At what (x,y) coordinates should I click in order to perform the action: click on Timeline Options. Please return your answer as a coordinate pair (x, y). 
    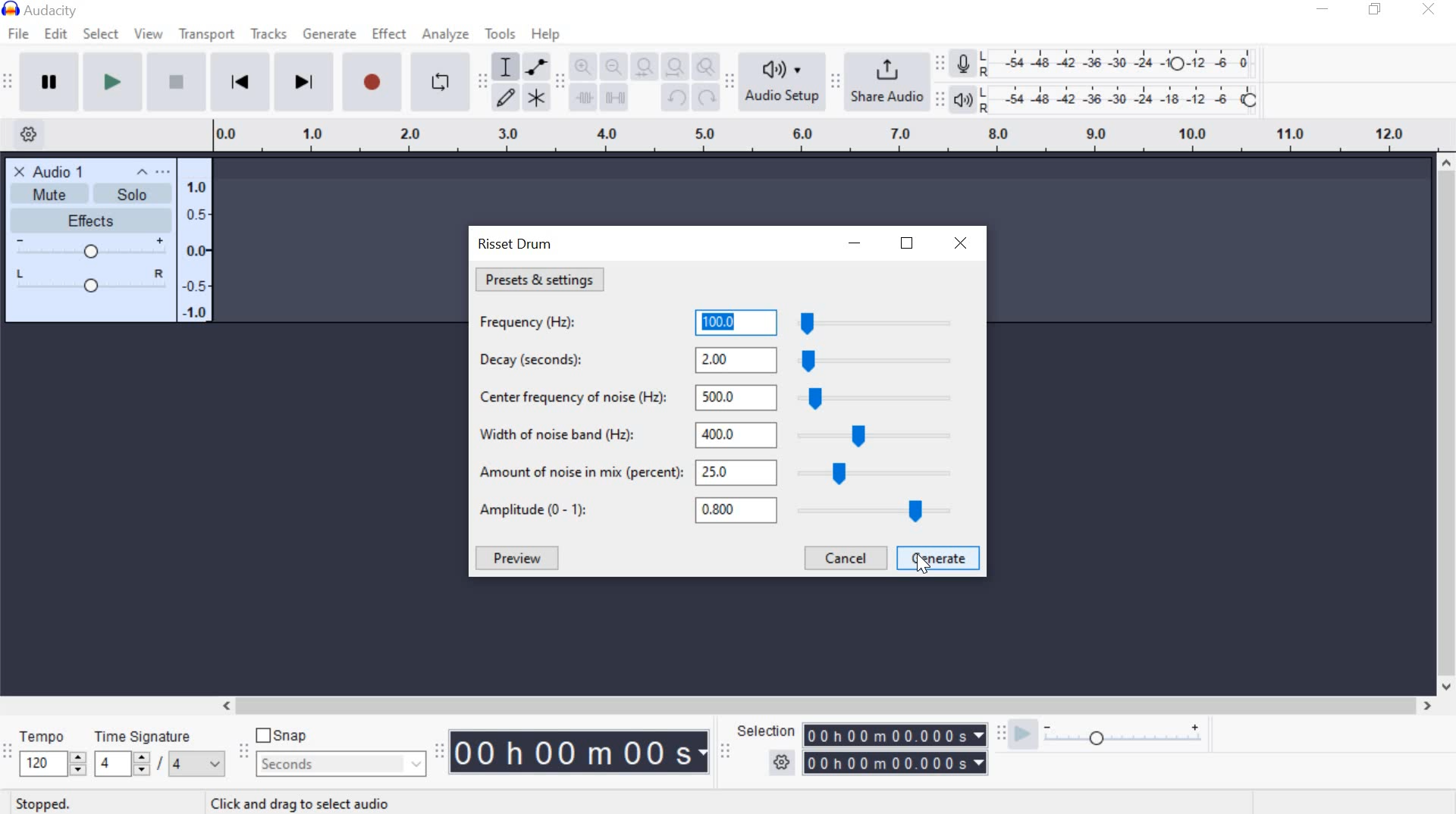
    Looking at the image, I should click on (33, 136).